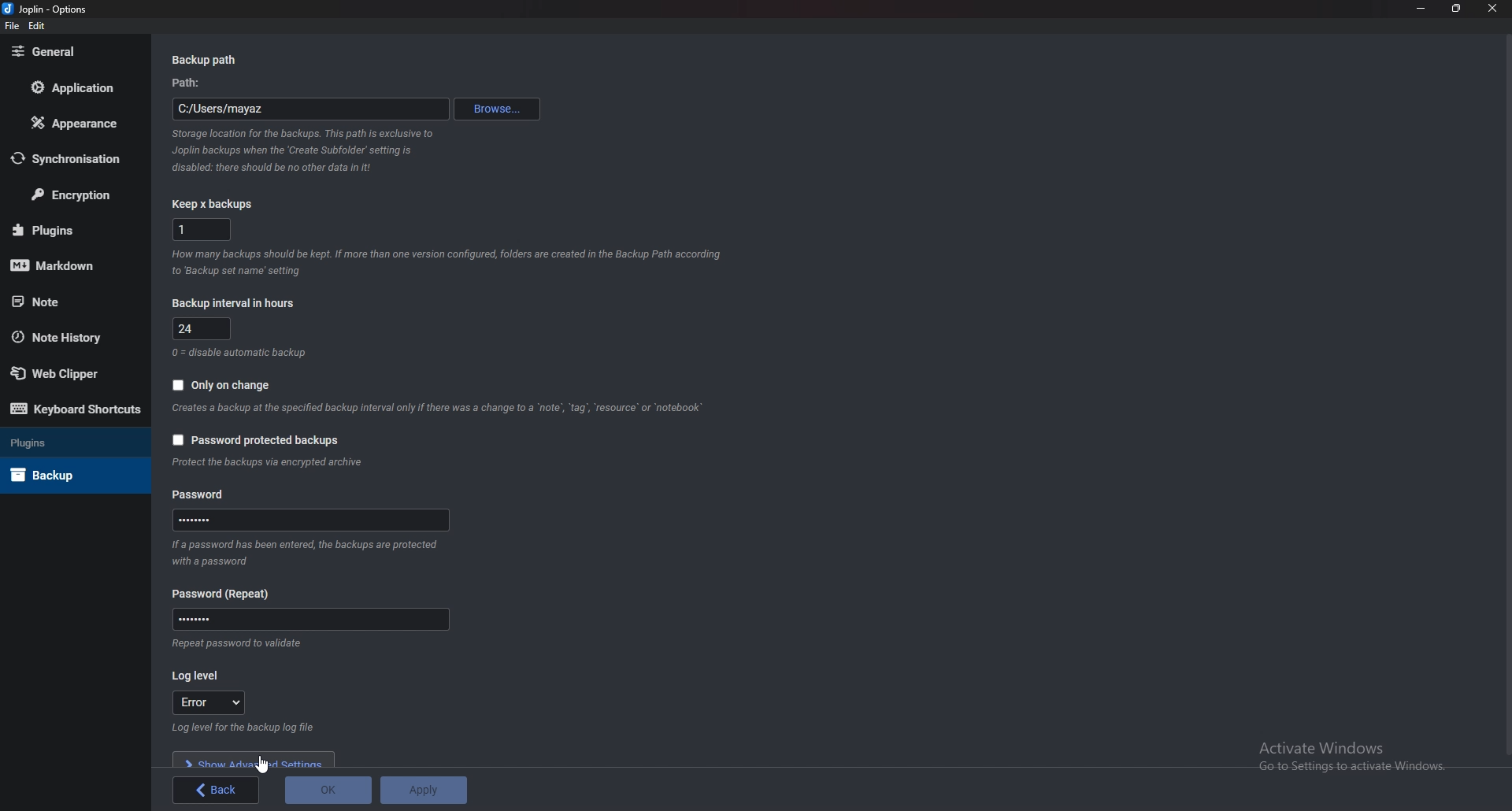 The image size is (1512, 811). I want to click on Password, so click(228, 594).